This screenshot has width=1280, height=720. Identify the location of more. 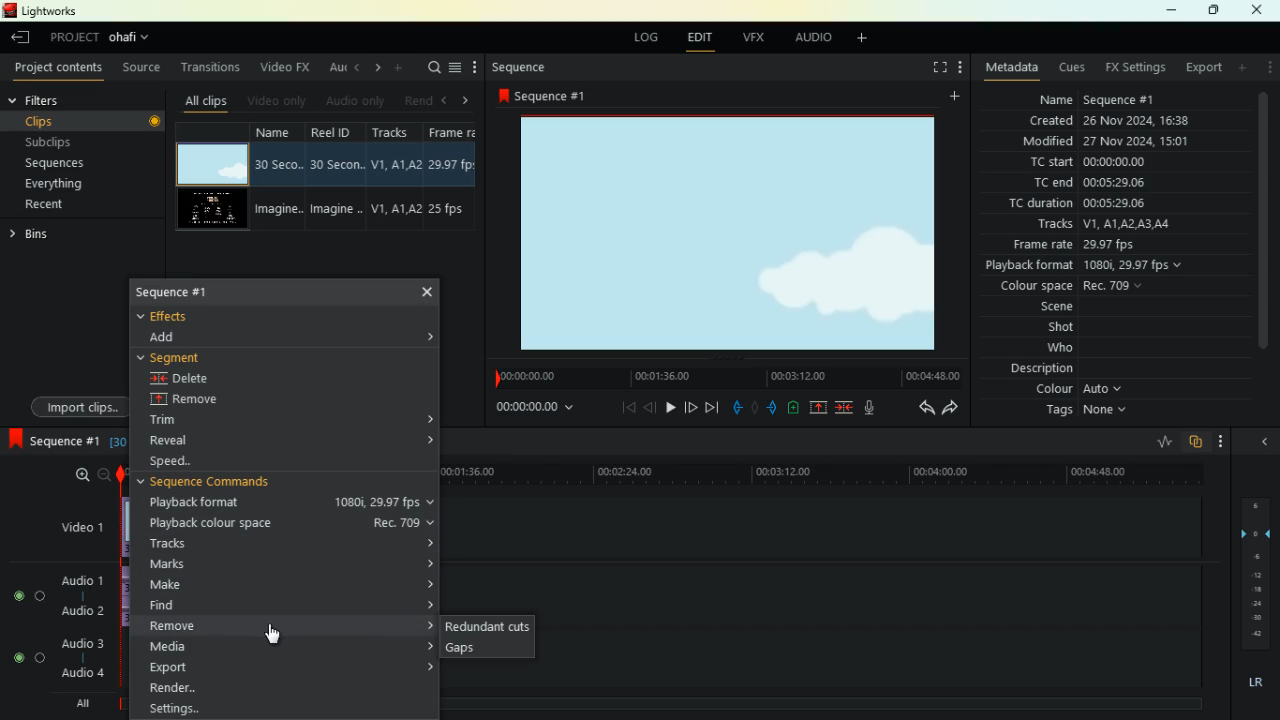
(962, 65).